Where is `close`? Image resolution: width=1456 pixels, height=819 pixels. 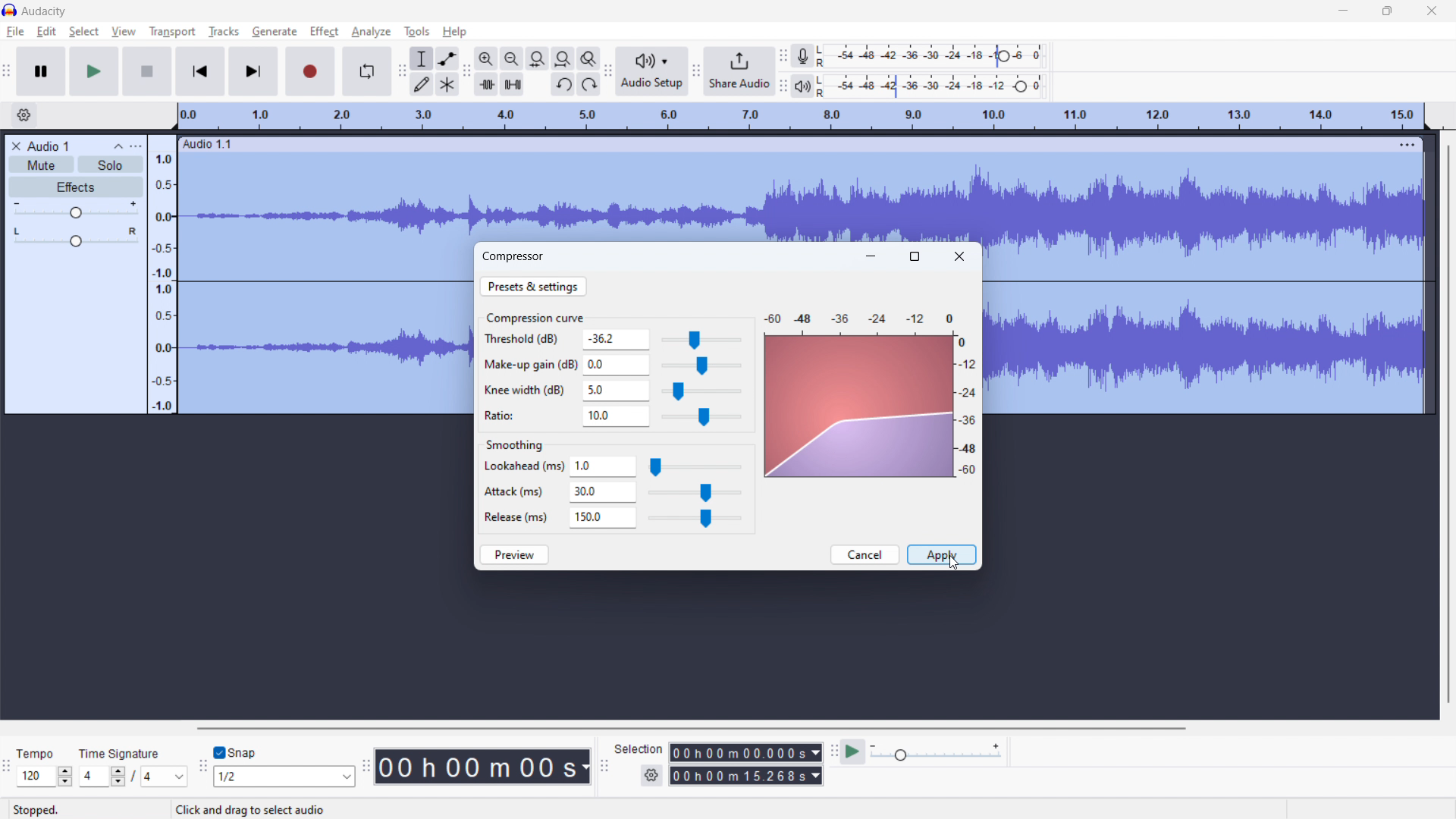 close is located at coordinates (1432, 11).